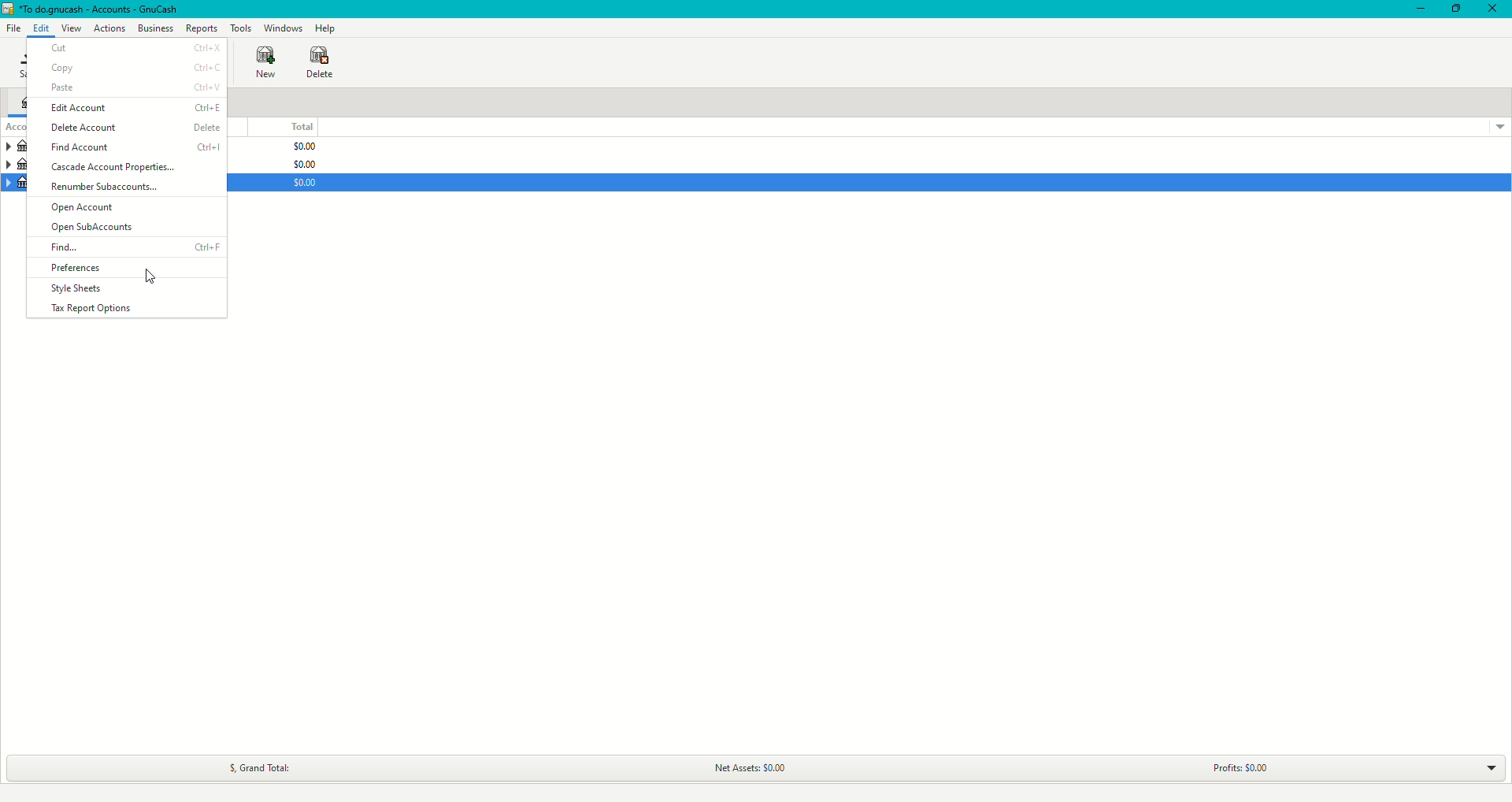  What do you see at coordinates (321, 65) in the screenshot?
I see `Delete` at bounding box center [321, 65].